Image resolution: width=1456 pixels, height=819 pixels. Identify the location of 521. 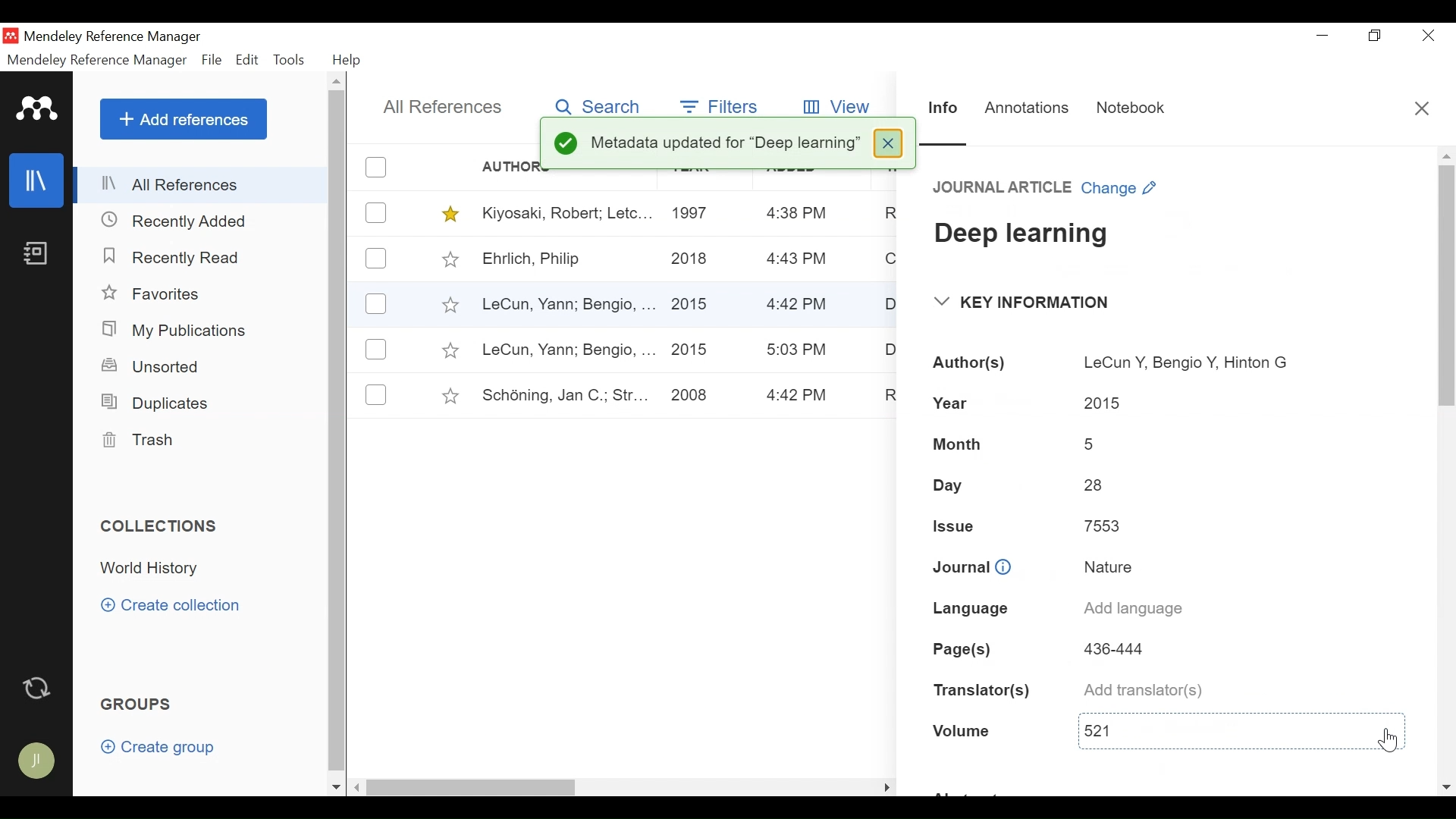
(1212, 728).